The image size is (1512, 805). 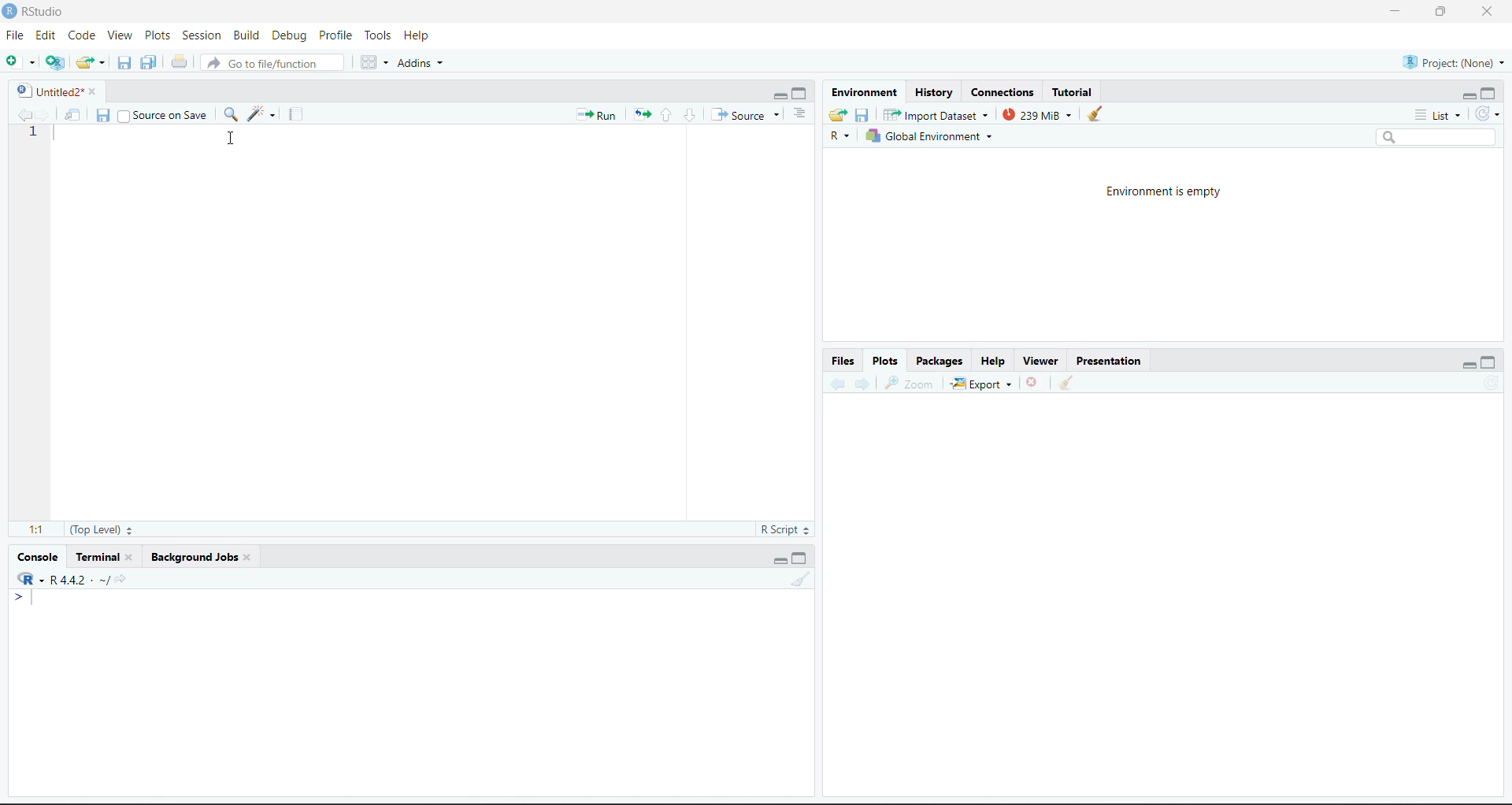 What do you see at coordinates (984, 384) in the screenshot?
I see `Export` at bounding box center [984, 384].